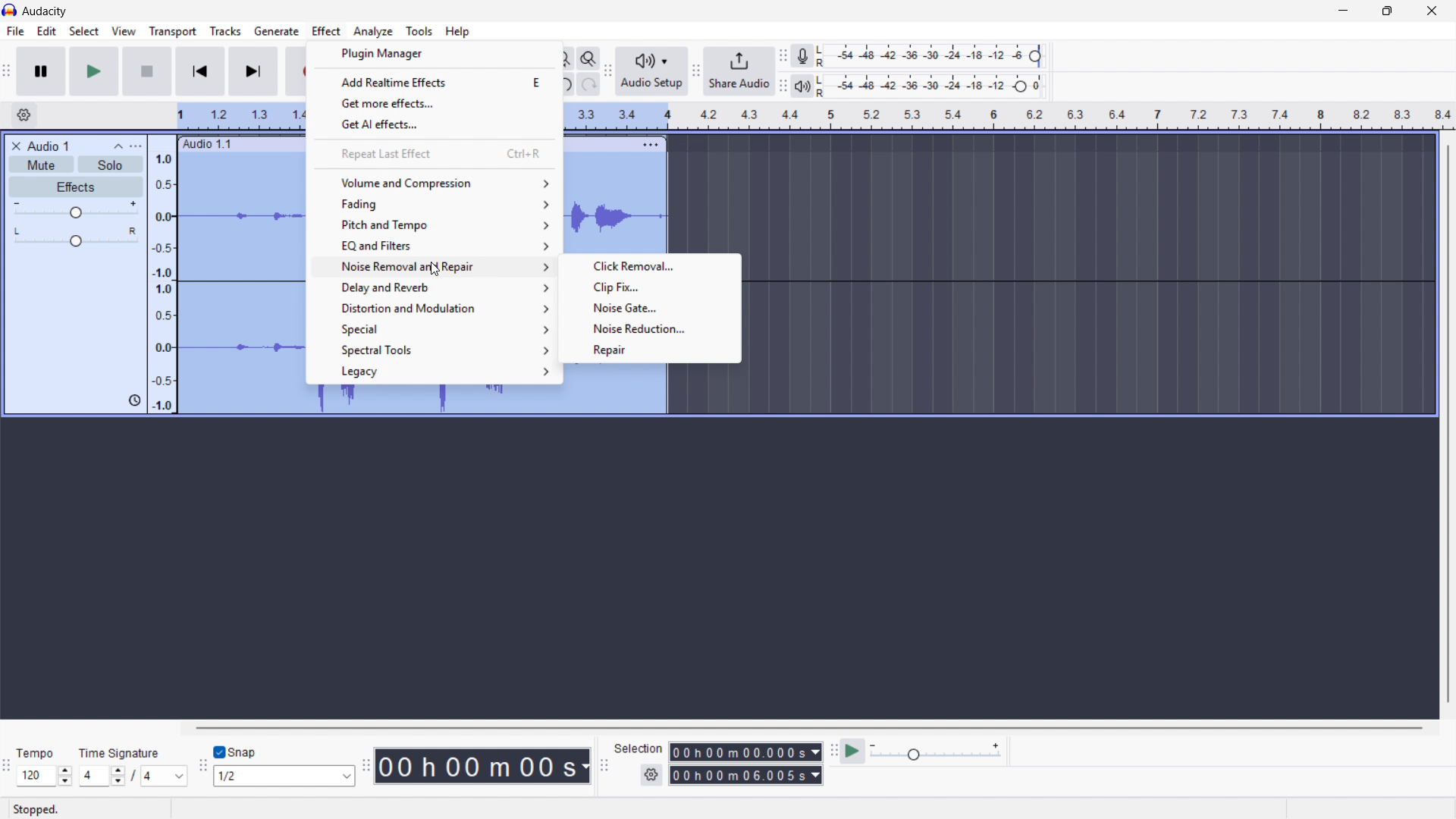  I want to click on redo, so click(588, 85).